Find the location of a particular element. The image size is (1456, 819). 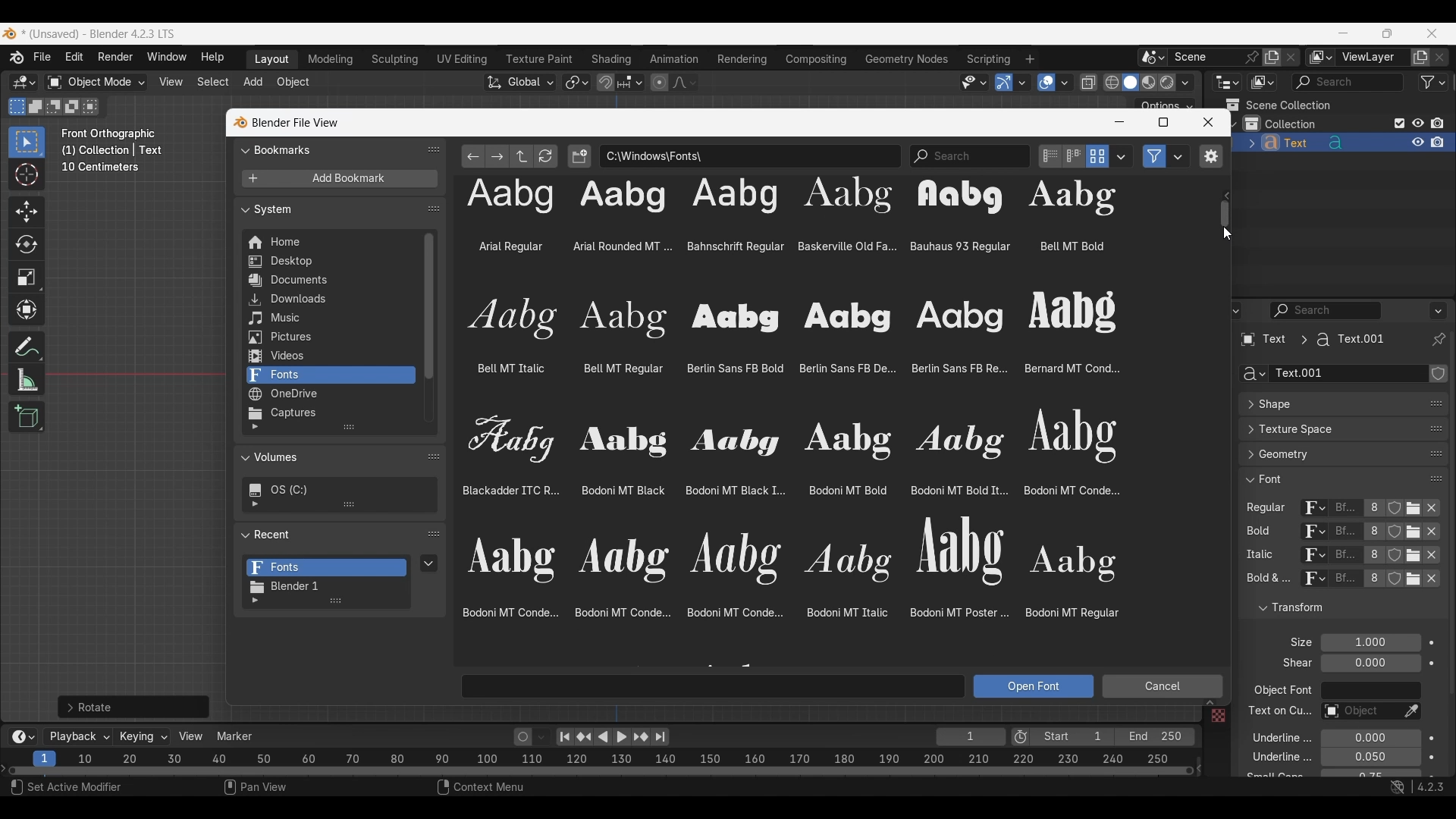

fake user is located at coordinates (1397, 585).